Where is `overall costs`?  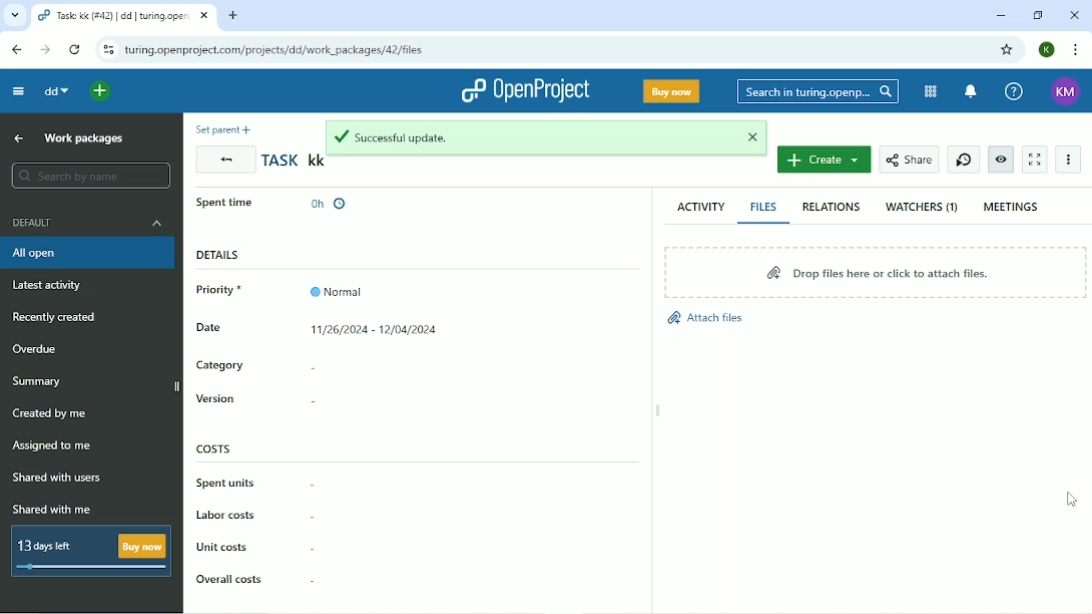 overall costs is located at coordinates (255, 575).